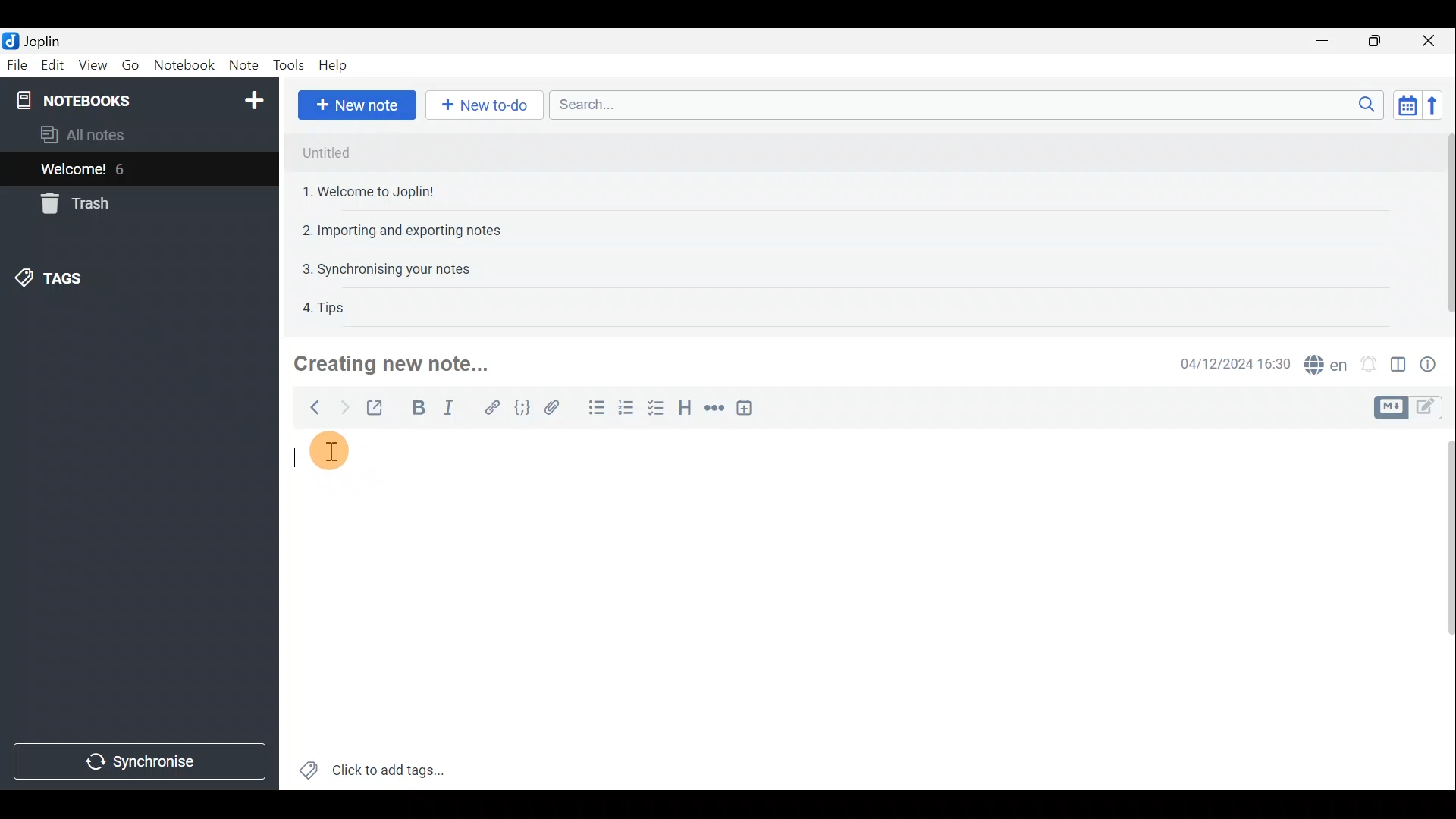 This screenshot has width=1456, height=819. What do you see at coordinates (1429, 409) in the screenshot?
I see `Toggle editors` at bounding box center [1429, 409].